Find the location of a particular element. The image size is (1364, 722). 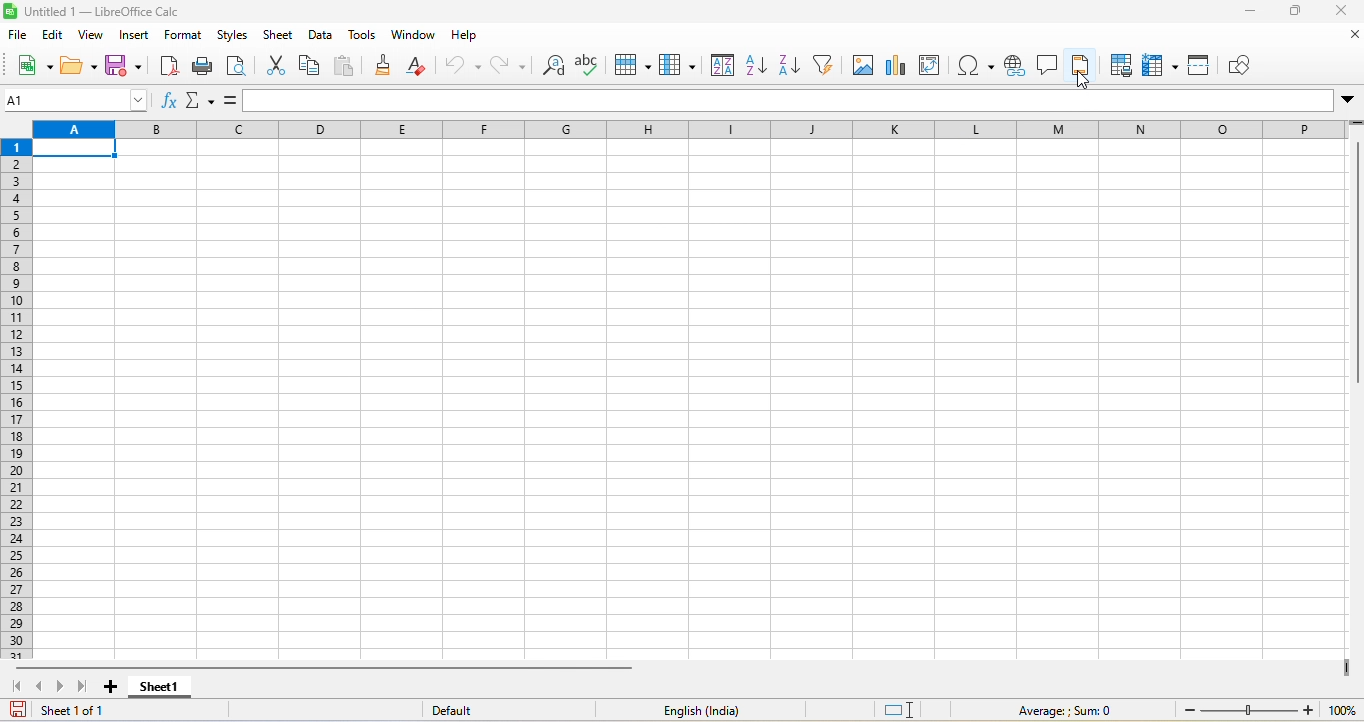

spelling is located at coordinates (590, 64).